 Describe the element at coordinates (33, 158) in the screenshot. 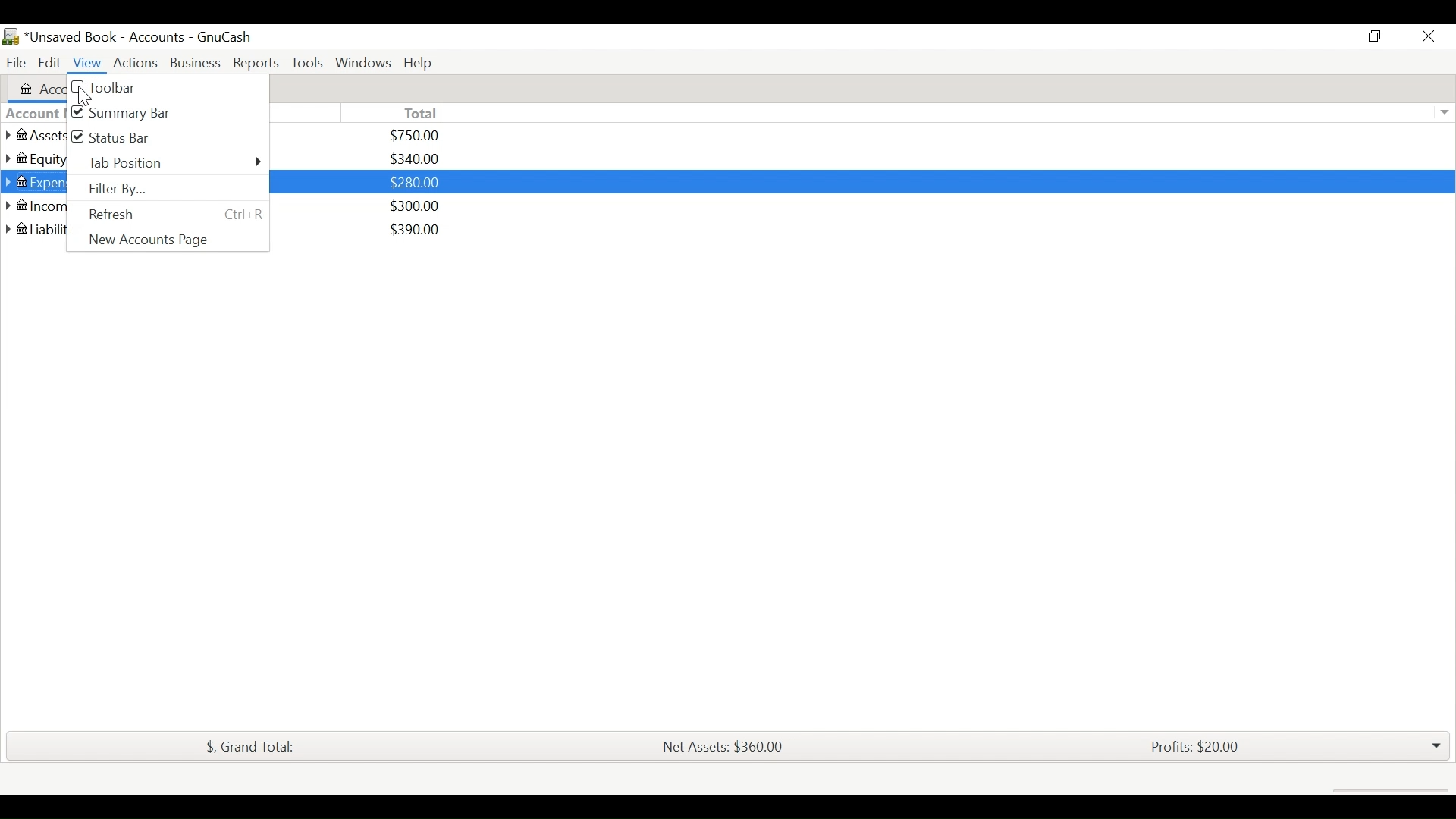

I see `Equity` at that location.